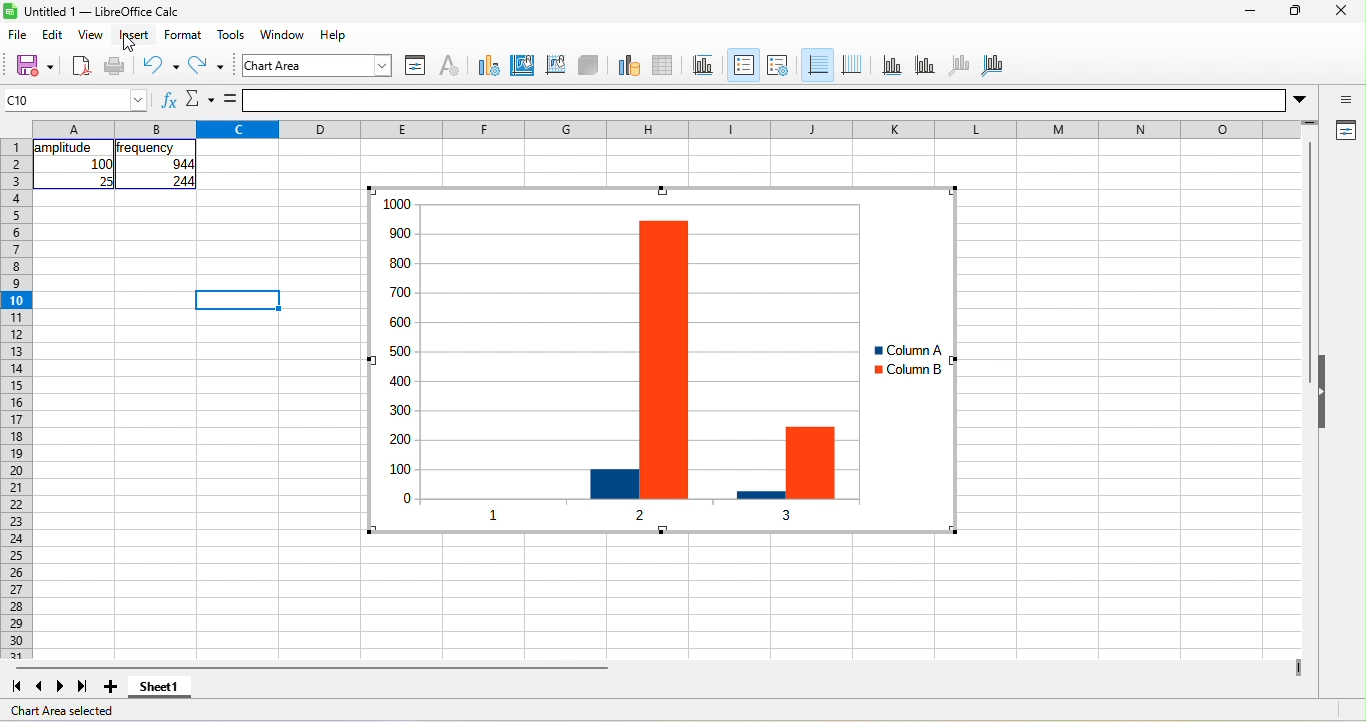  I want to click on add new sheet, so click(111, 687).